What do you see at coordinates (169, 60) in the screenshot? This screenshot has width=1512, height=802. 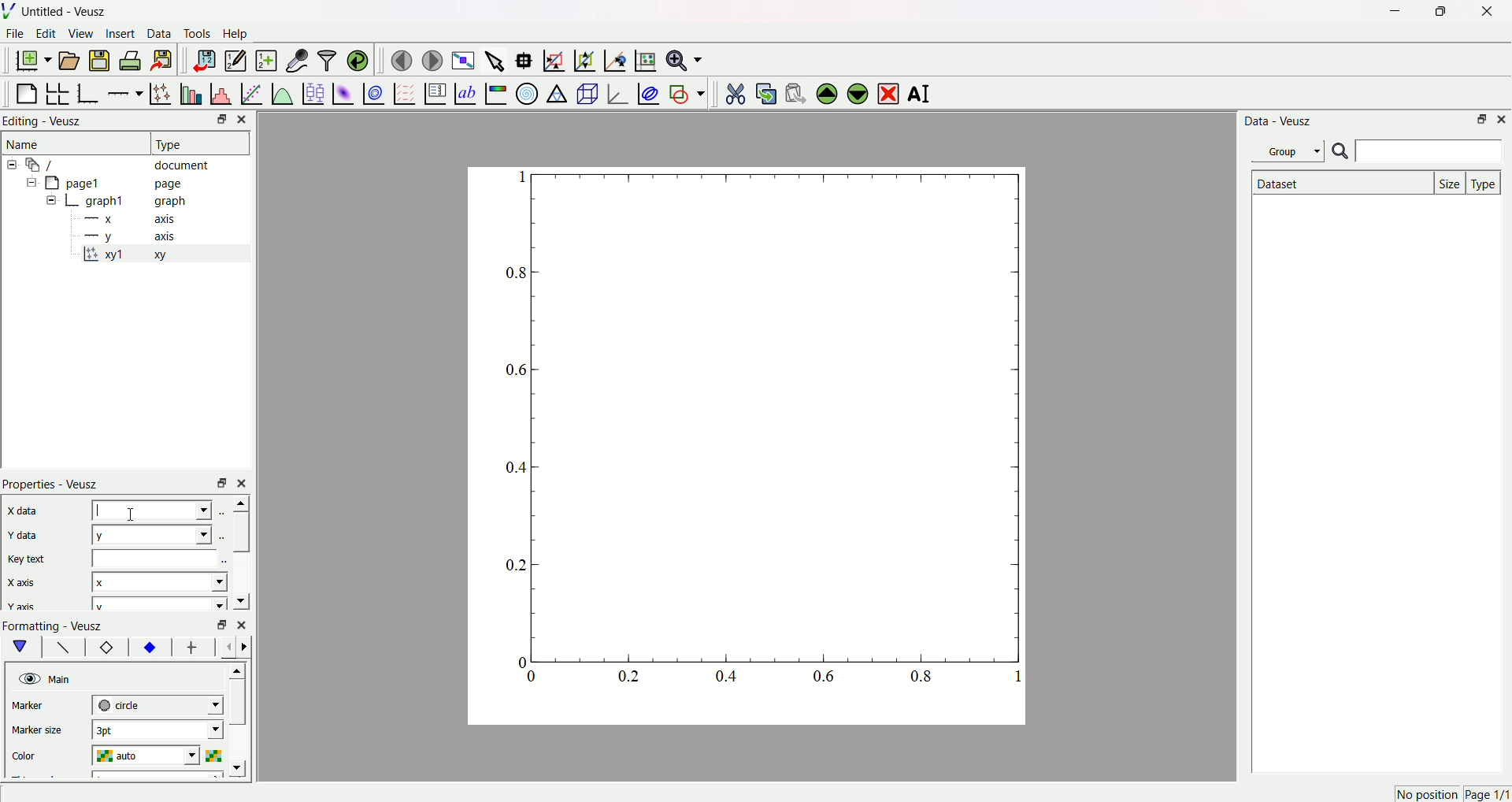 I see `export document` at bounding box center [169, 60].